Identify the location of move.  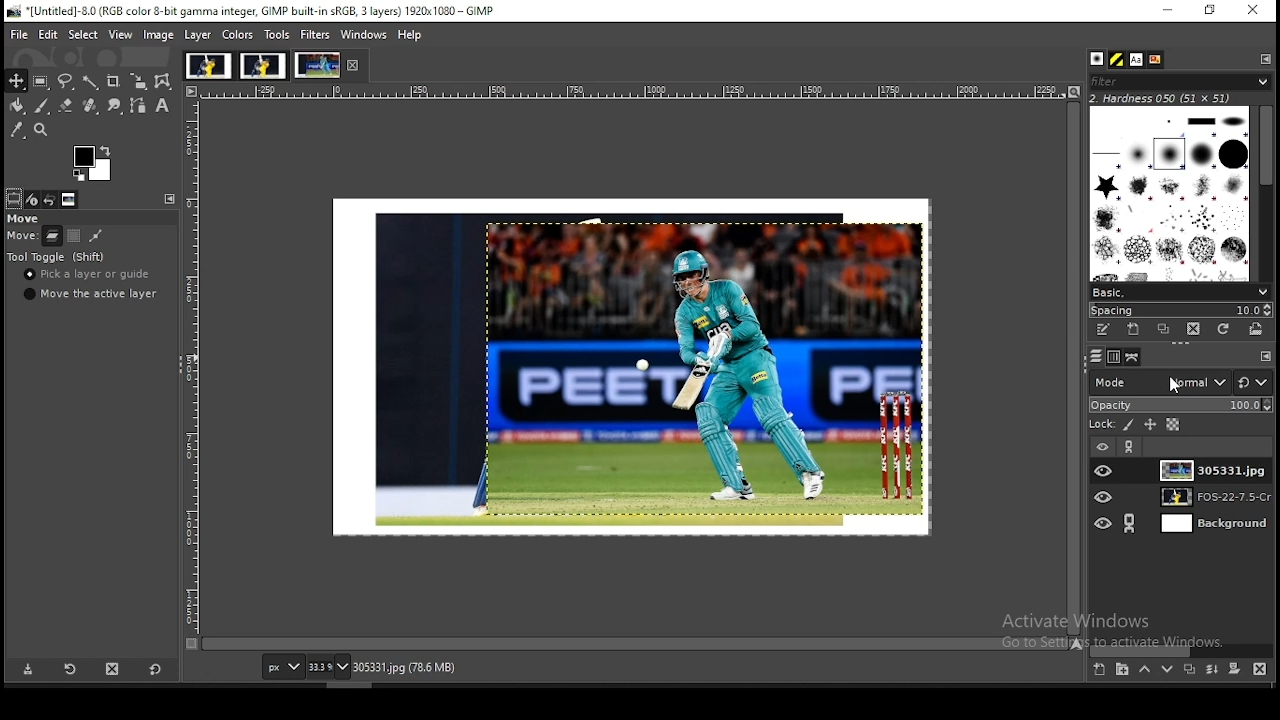
(25, 219).